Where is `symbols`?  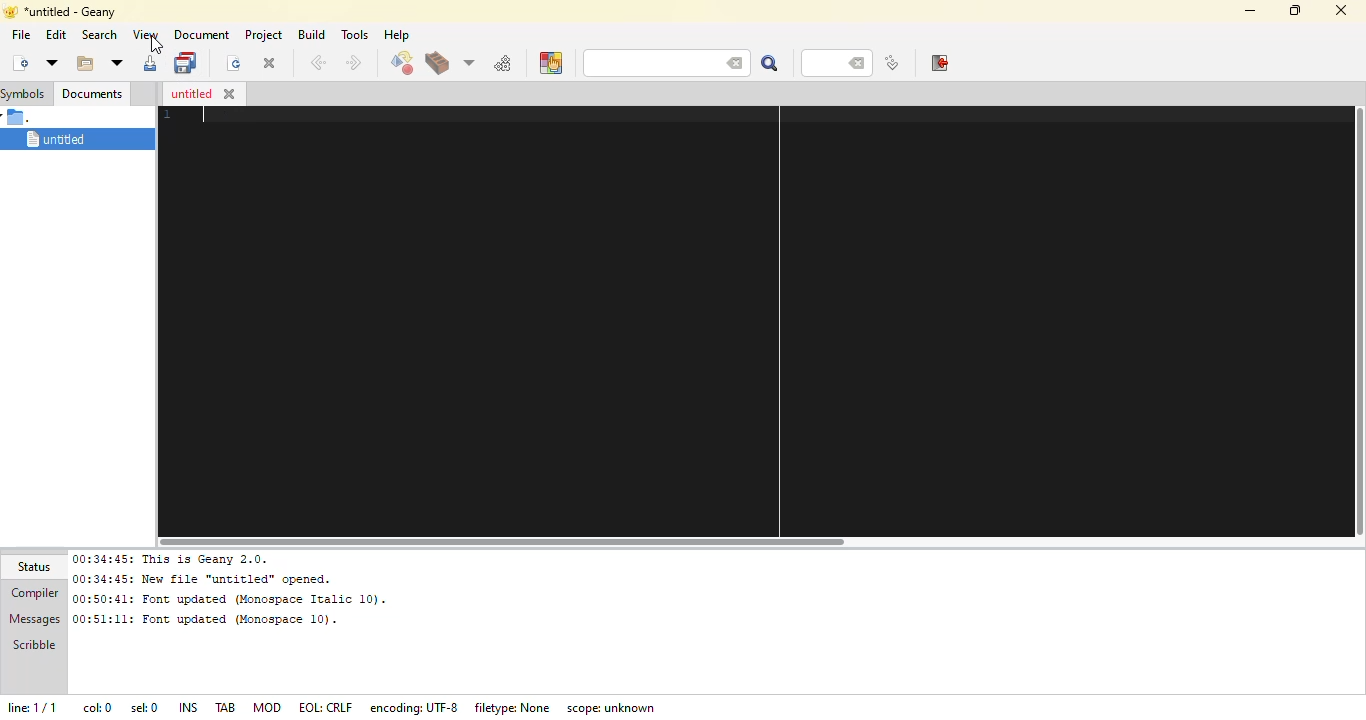 symbols is located at coordinates (25, 93).